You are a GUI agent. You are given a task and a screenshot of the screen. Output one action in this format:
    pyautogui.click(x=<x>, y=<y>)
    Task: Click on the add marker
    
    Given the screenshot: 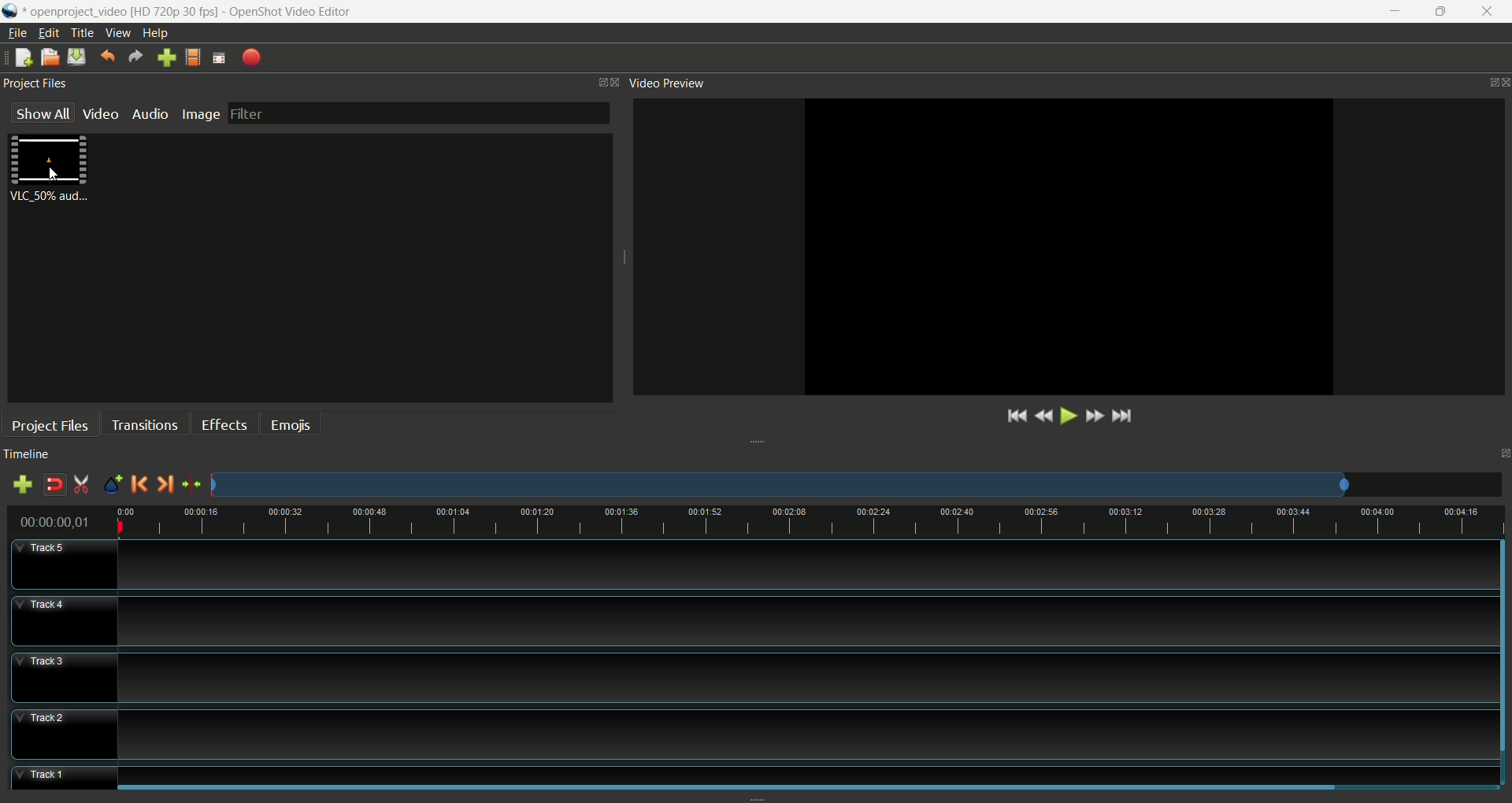 What is the action you would take?
    pyautogui.click(x=112, y=483)
    